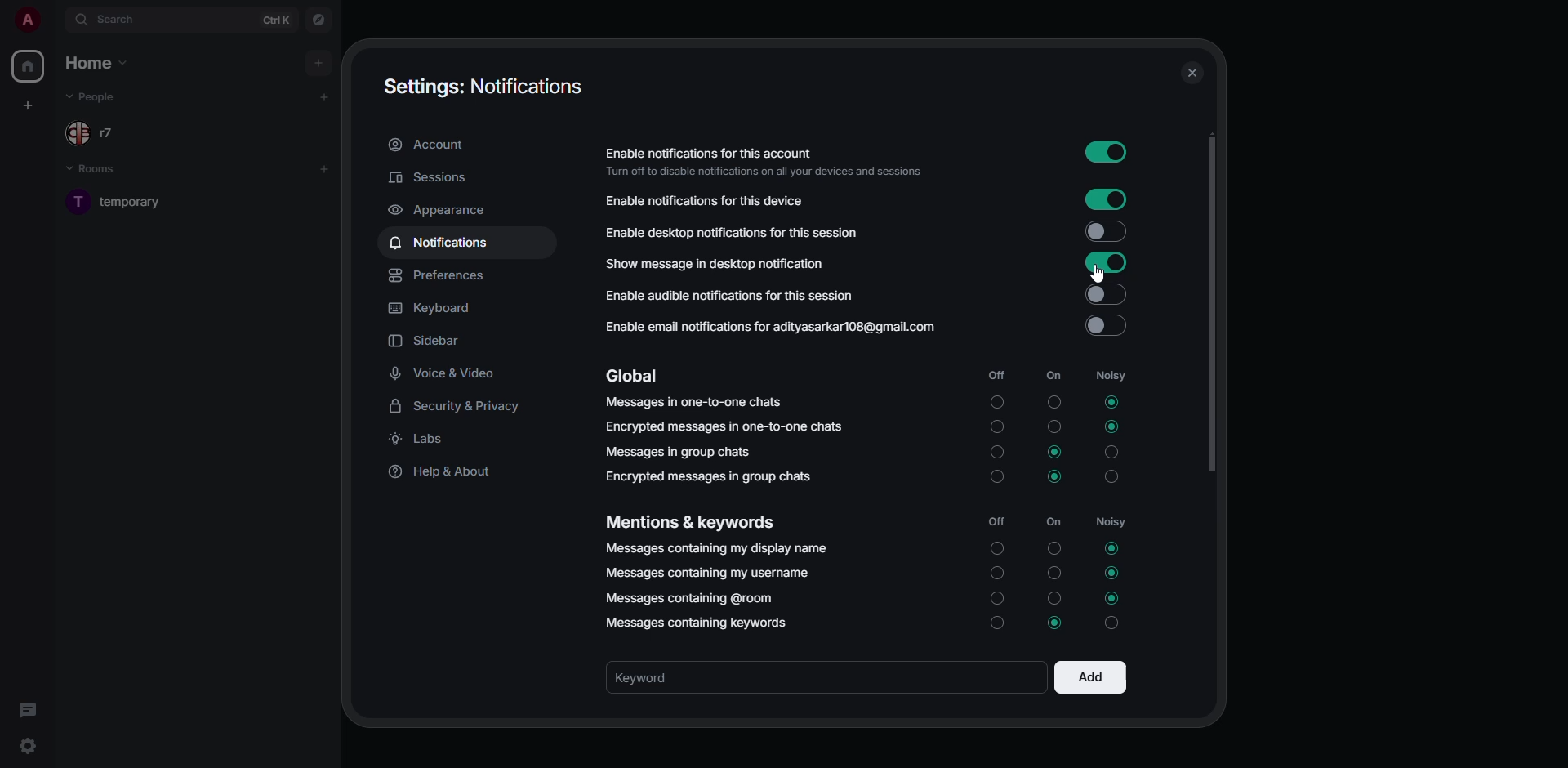 Image resolution: width=1568 pixels, height=768 pixels. I want to click on preferences, so click(441, 276).